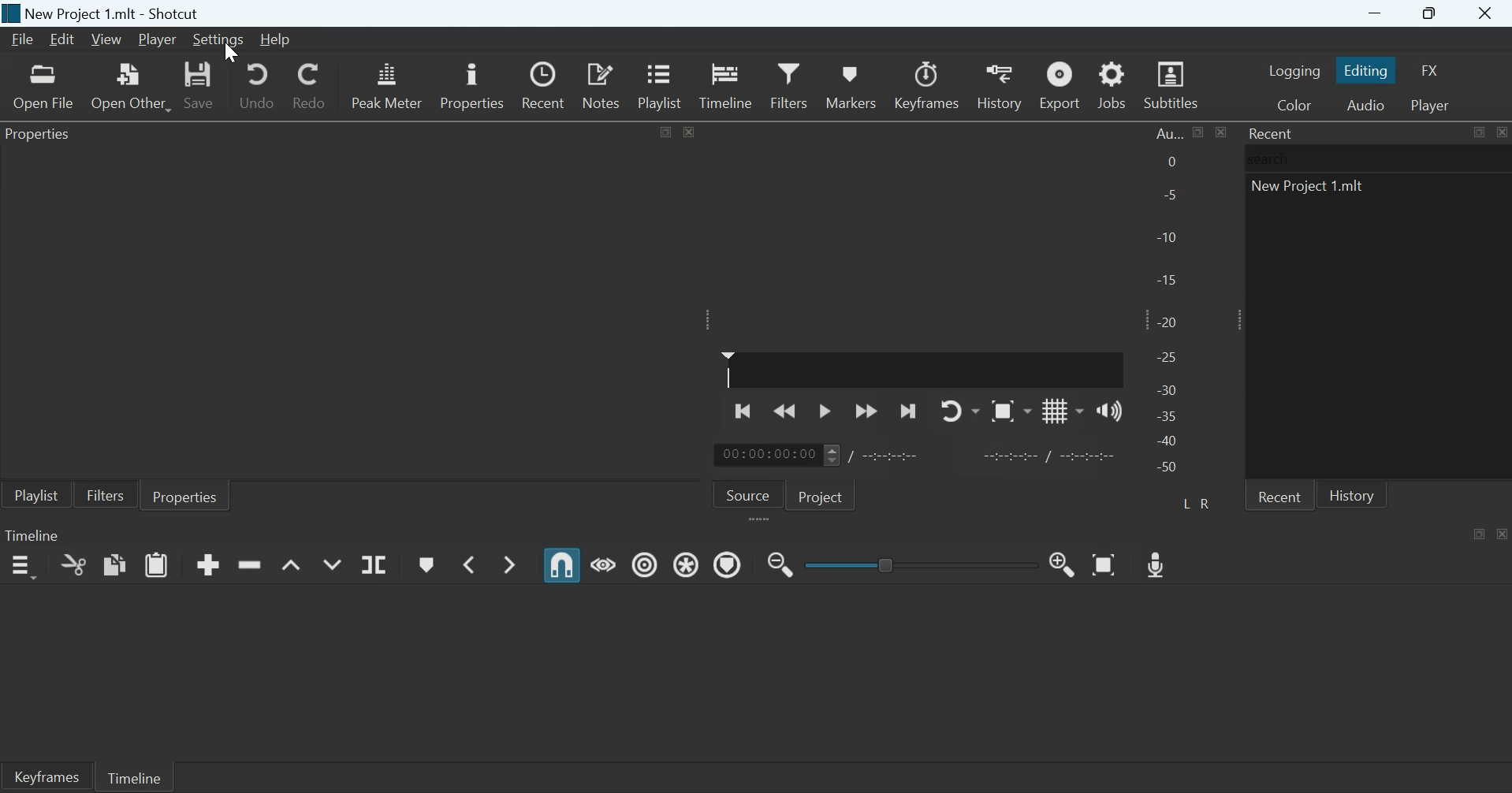  I want to click on Scroll buttons, so click(831, 455).